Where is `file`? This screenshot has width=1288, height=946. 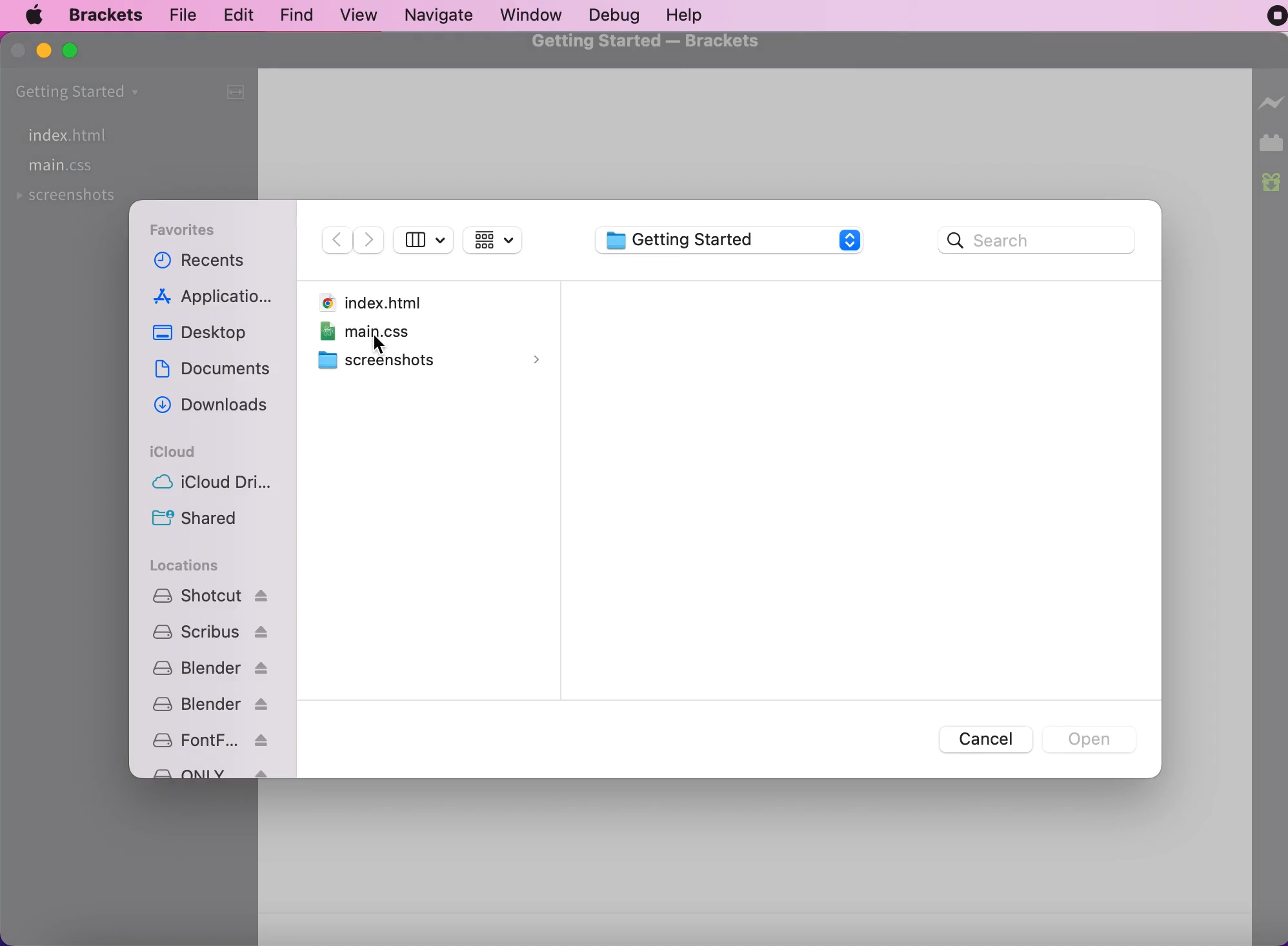 file is located at coordinates (186, 13).